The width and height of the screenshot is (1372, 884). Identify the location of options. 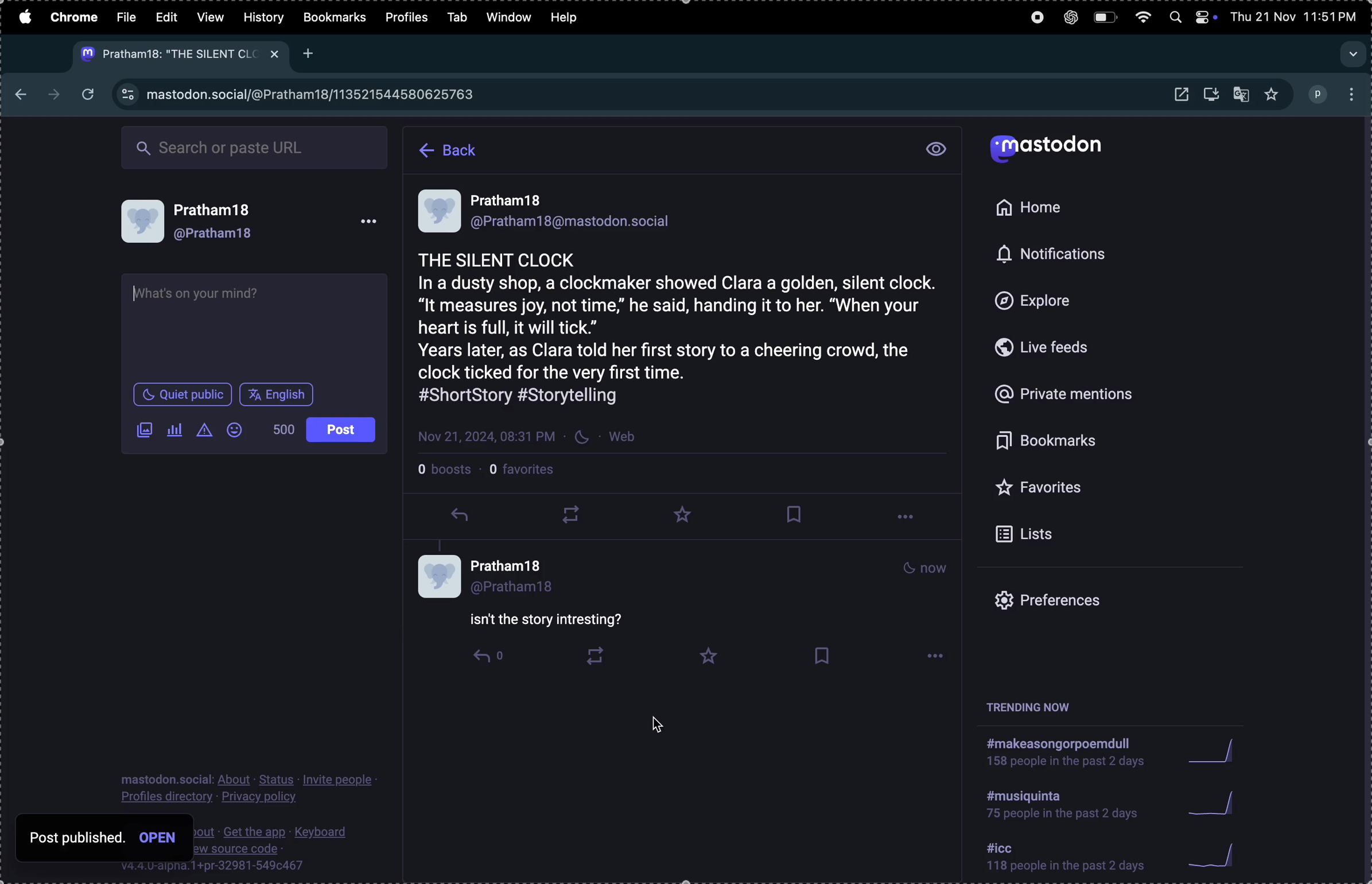
(1353, 94).